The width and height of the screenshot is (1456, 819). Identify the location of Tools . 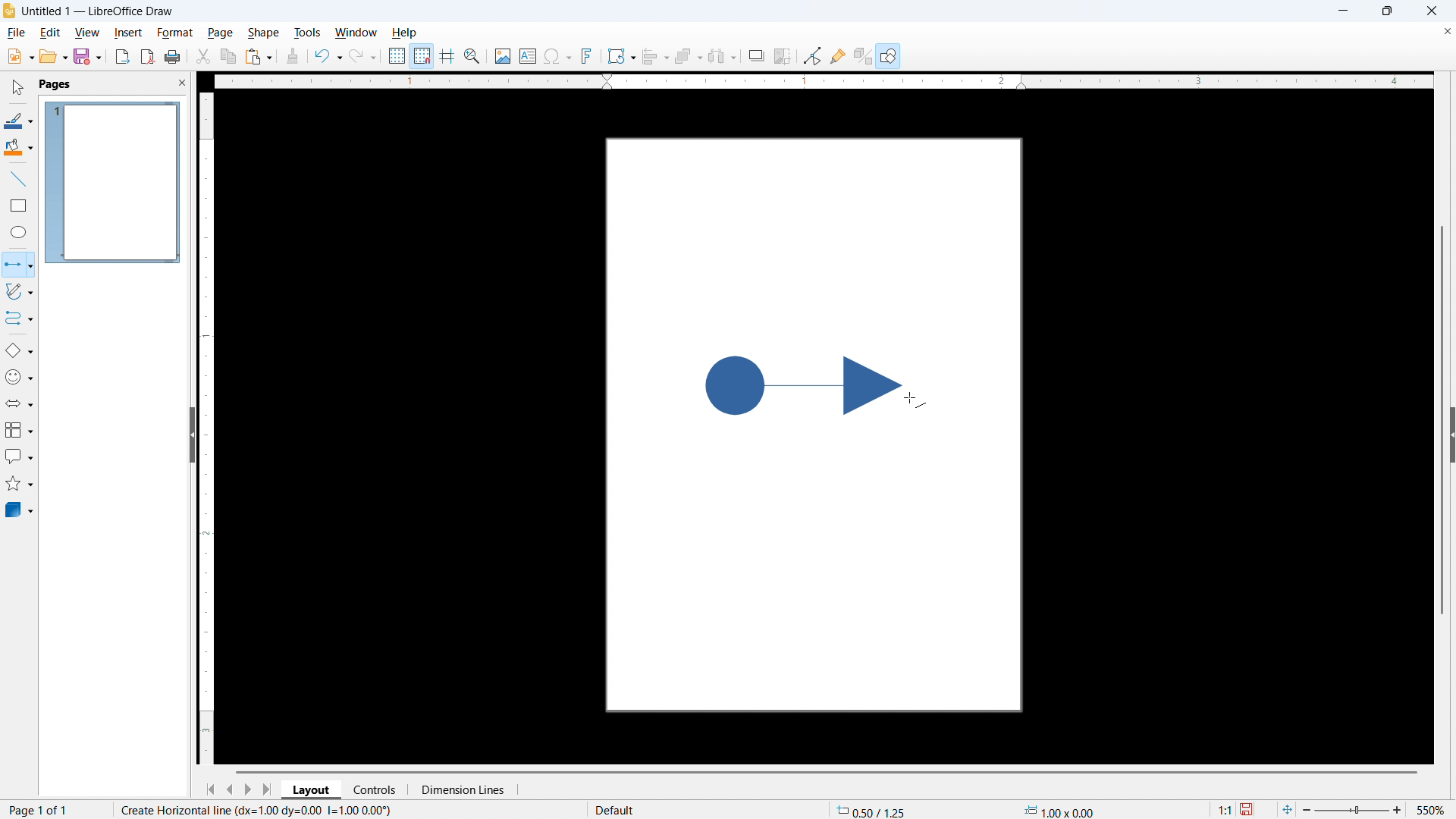
(307, 33).